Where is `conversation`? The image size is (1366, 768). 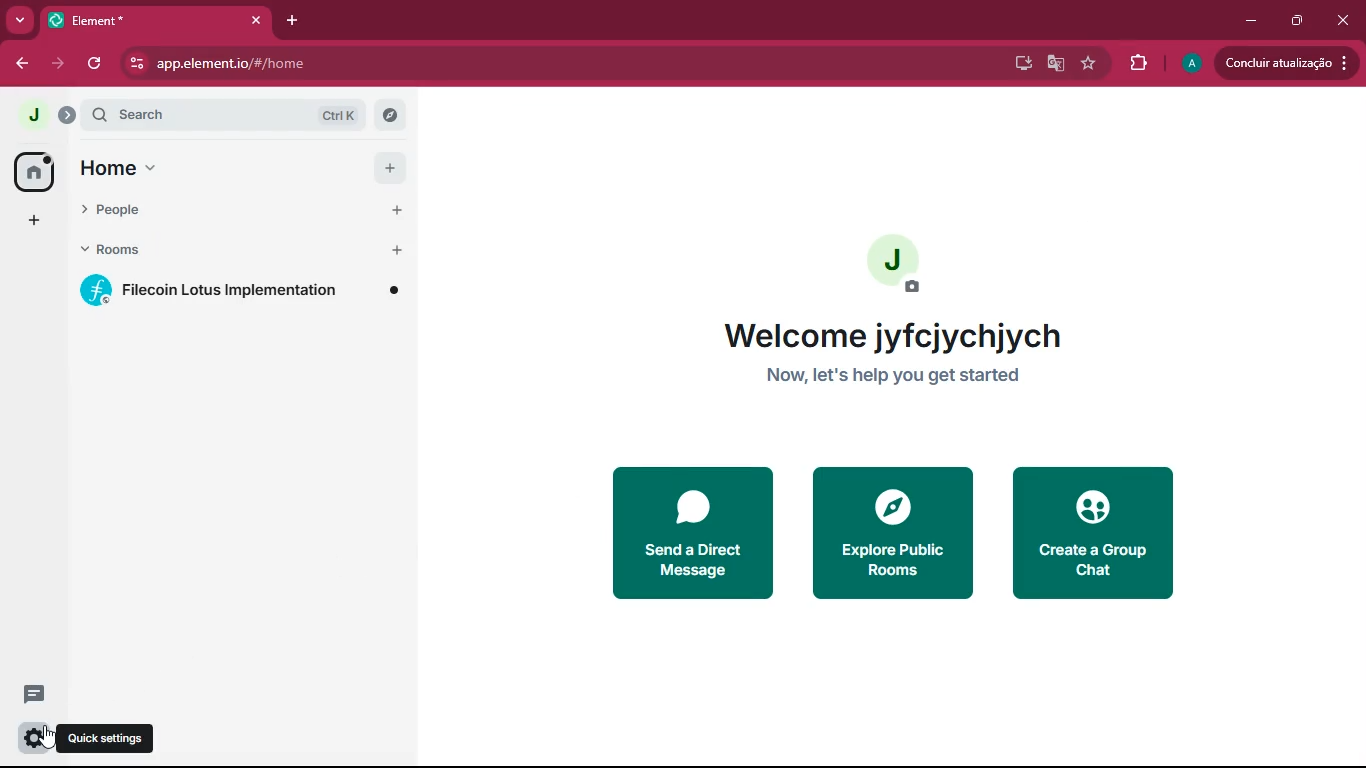
conversation is located at coordinates (33, 697).